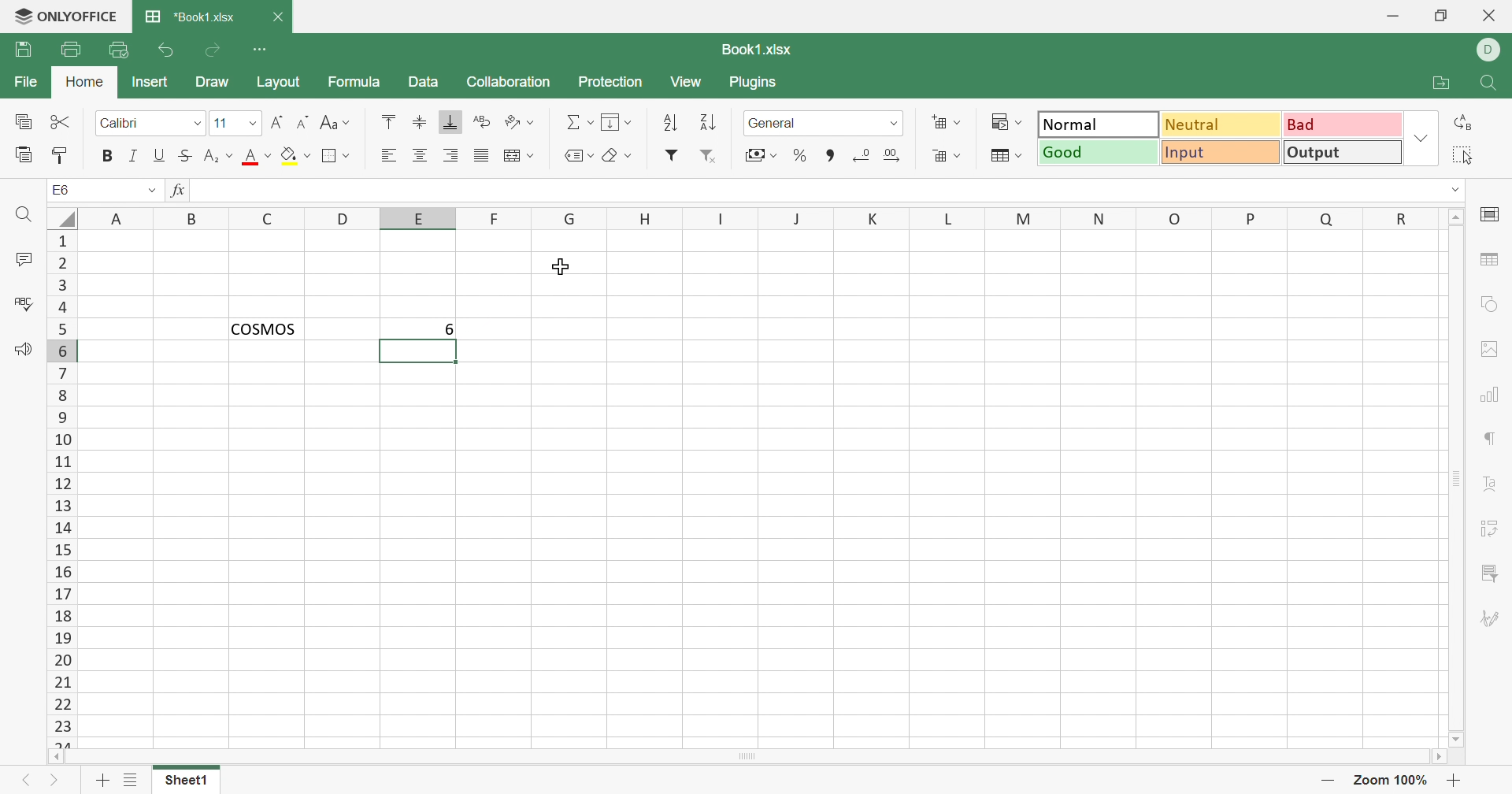 Image resolution: width=1512 pixels, height=794 pixels. I want to click on 6, so click(443, 328).